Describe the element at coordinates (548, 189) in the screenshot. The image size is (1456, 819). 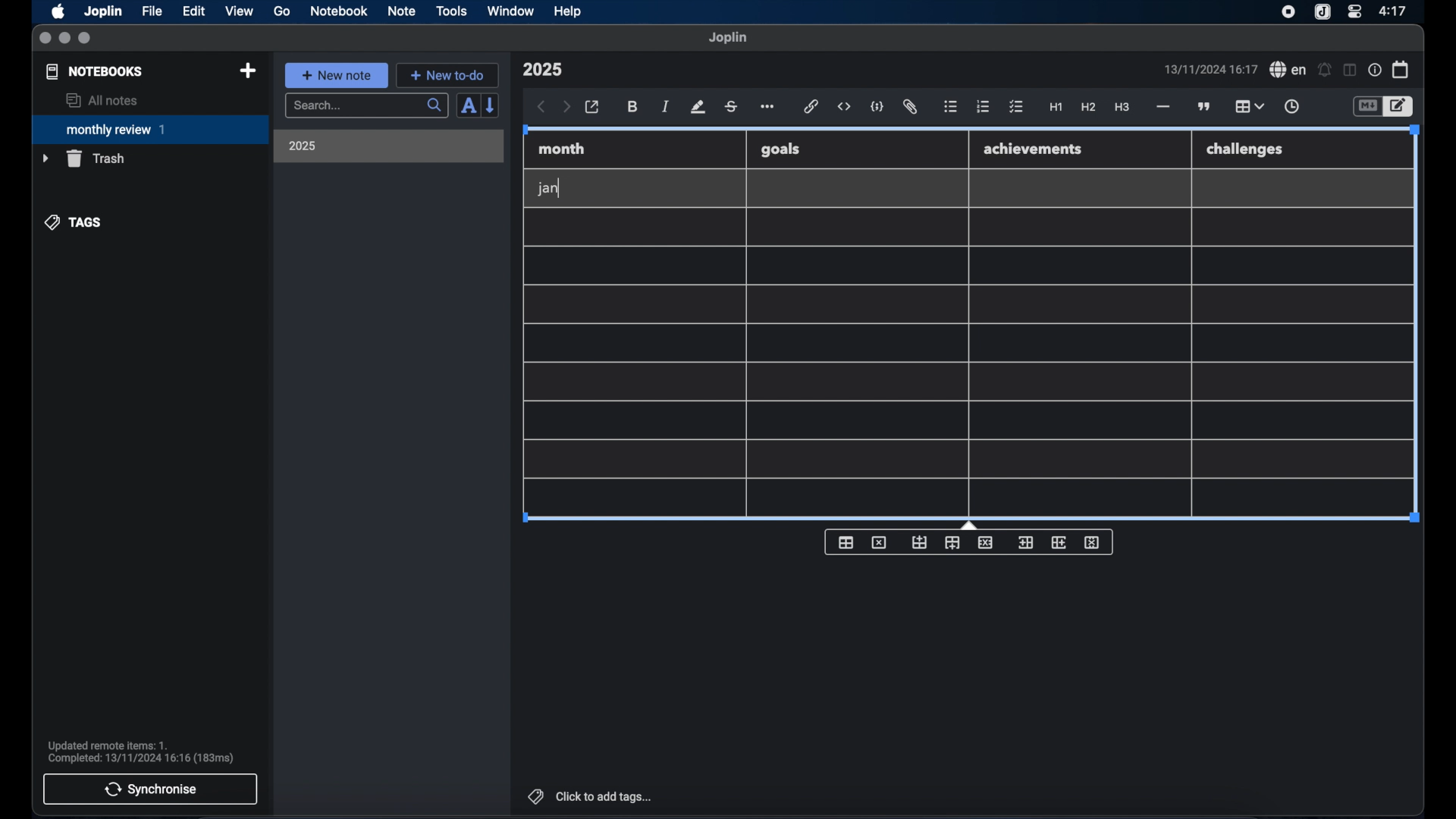
I see `jan` at that location.